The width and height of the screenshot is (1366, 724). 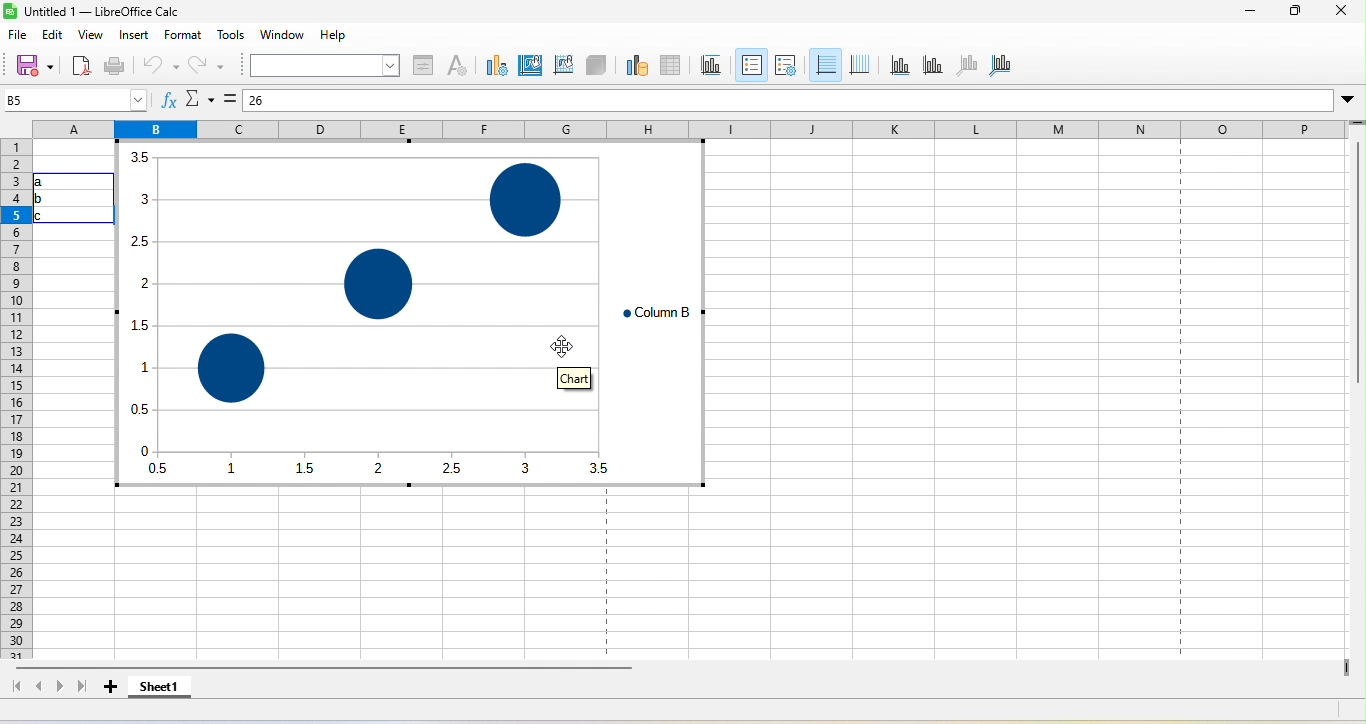 I want to click on help, so click(x=333, y=34).